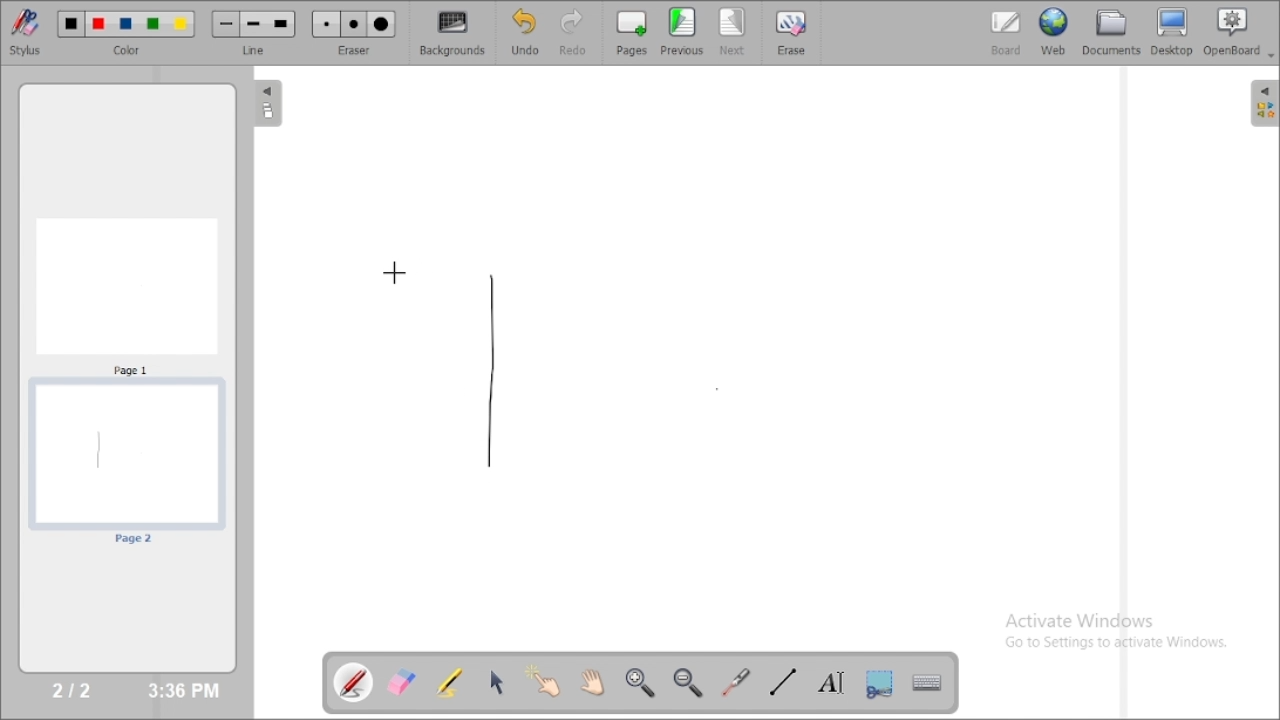  What do you see at coordinates (879, 683) in the screenshot?
I see `capture part of the screen` at bounding box center [879, 683].